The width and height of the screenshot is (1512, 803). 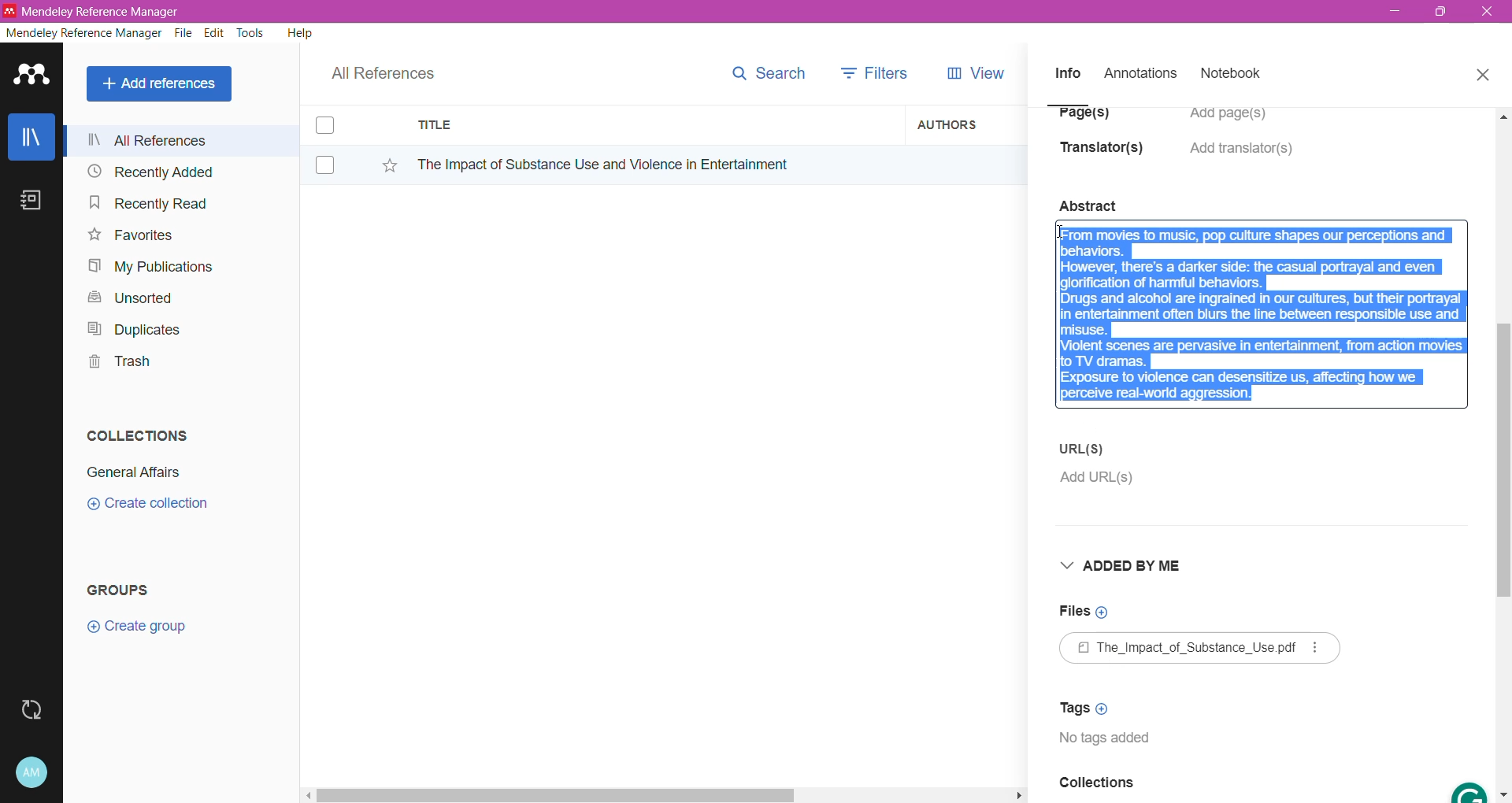 I want to click on Close, so click(x=1488, y=13).